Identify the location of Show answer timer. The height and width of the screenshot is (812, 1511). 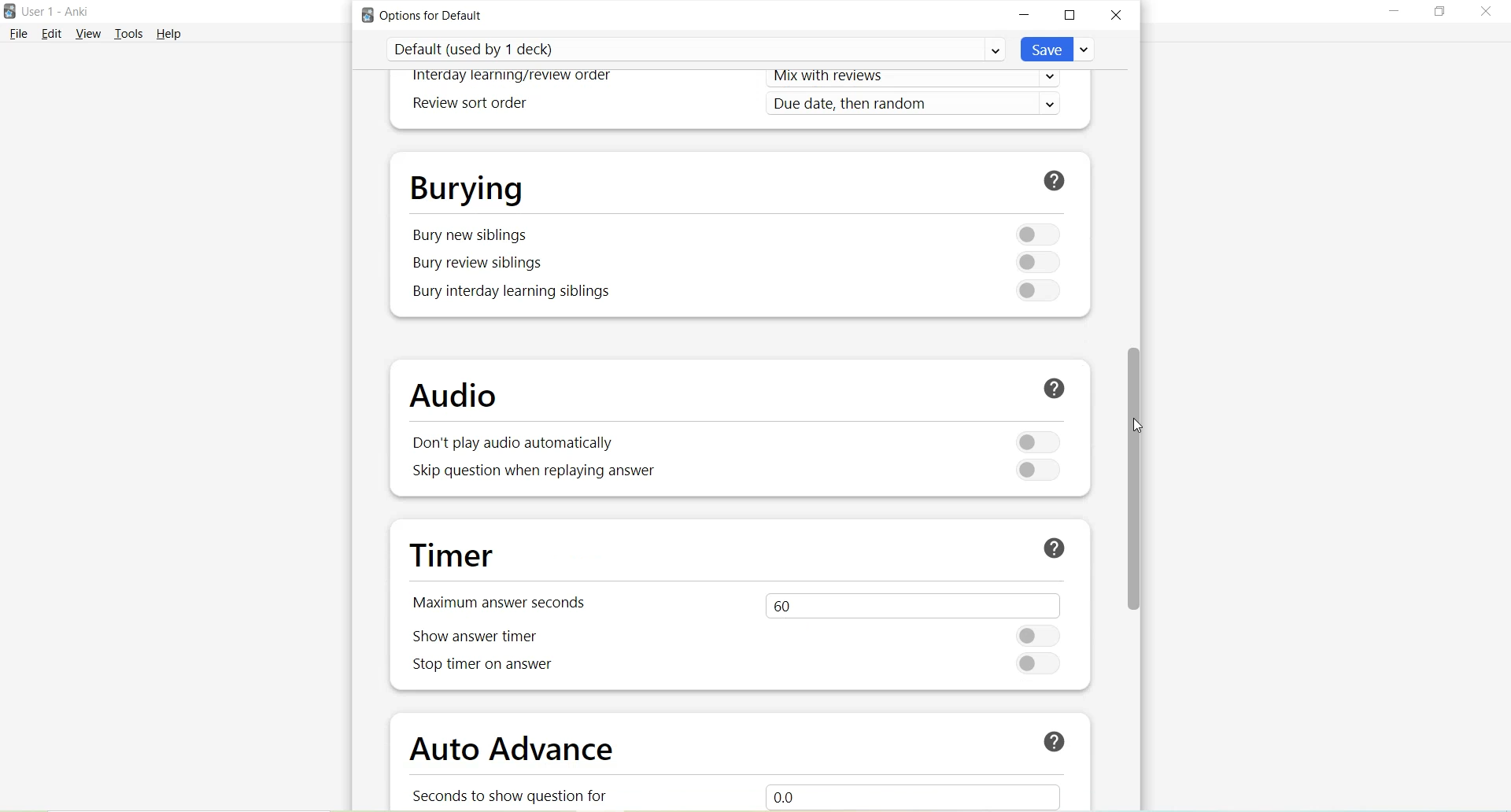
(482, 637).